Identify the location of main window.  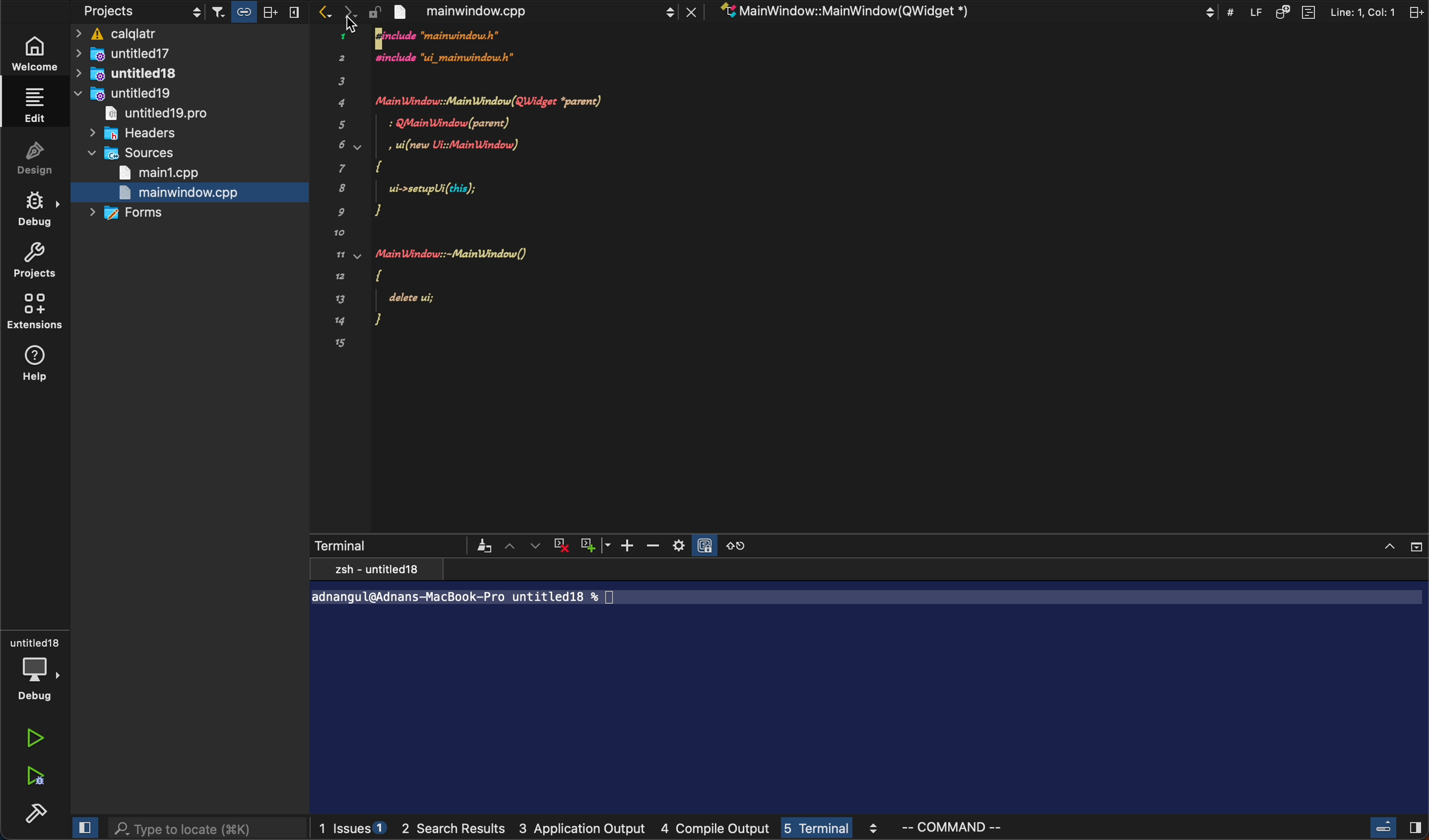
(189, 193).